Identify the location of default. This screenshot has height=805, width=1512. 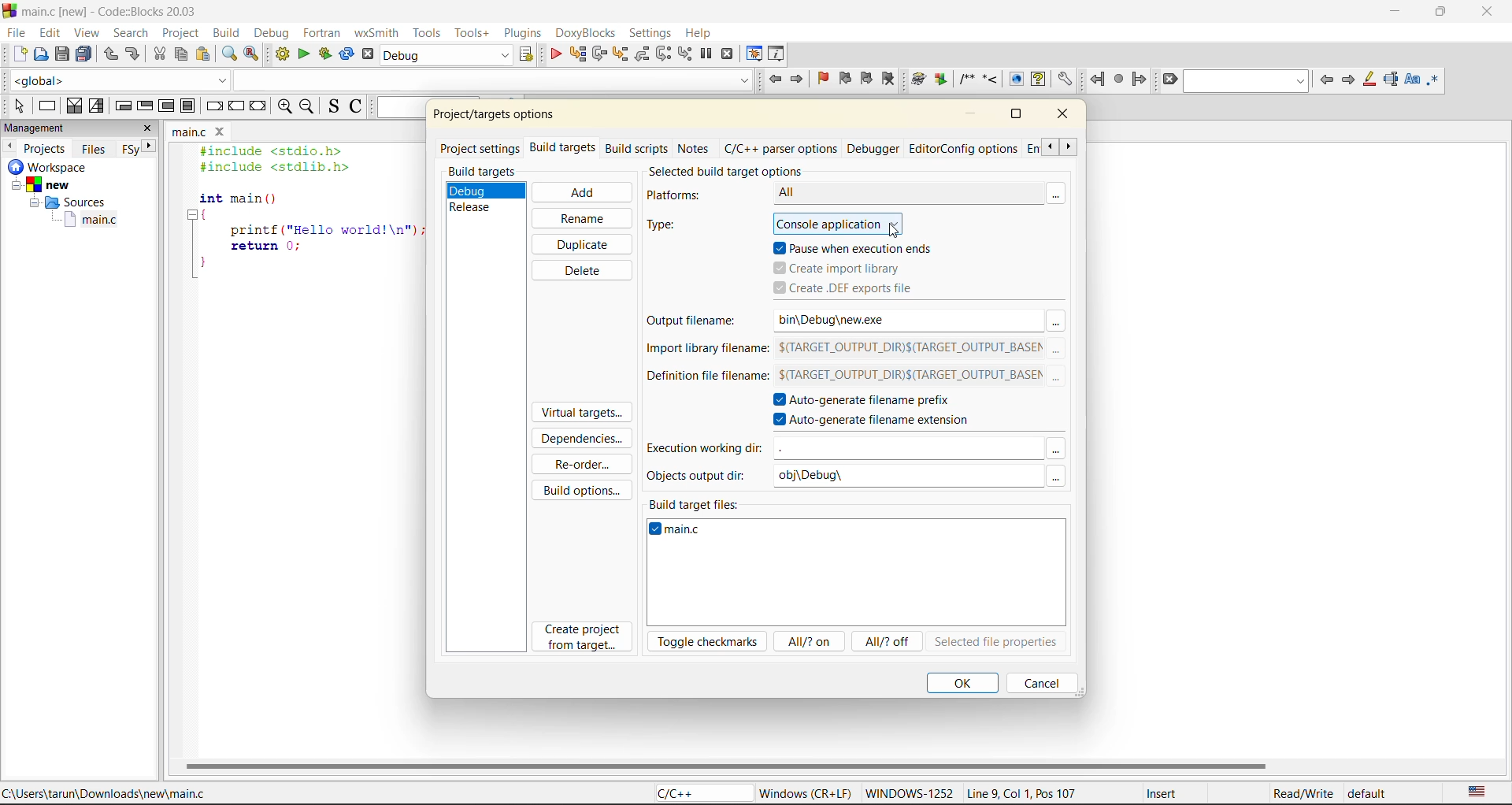
(1370, 792).